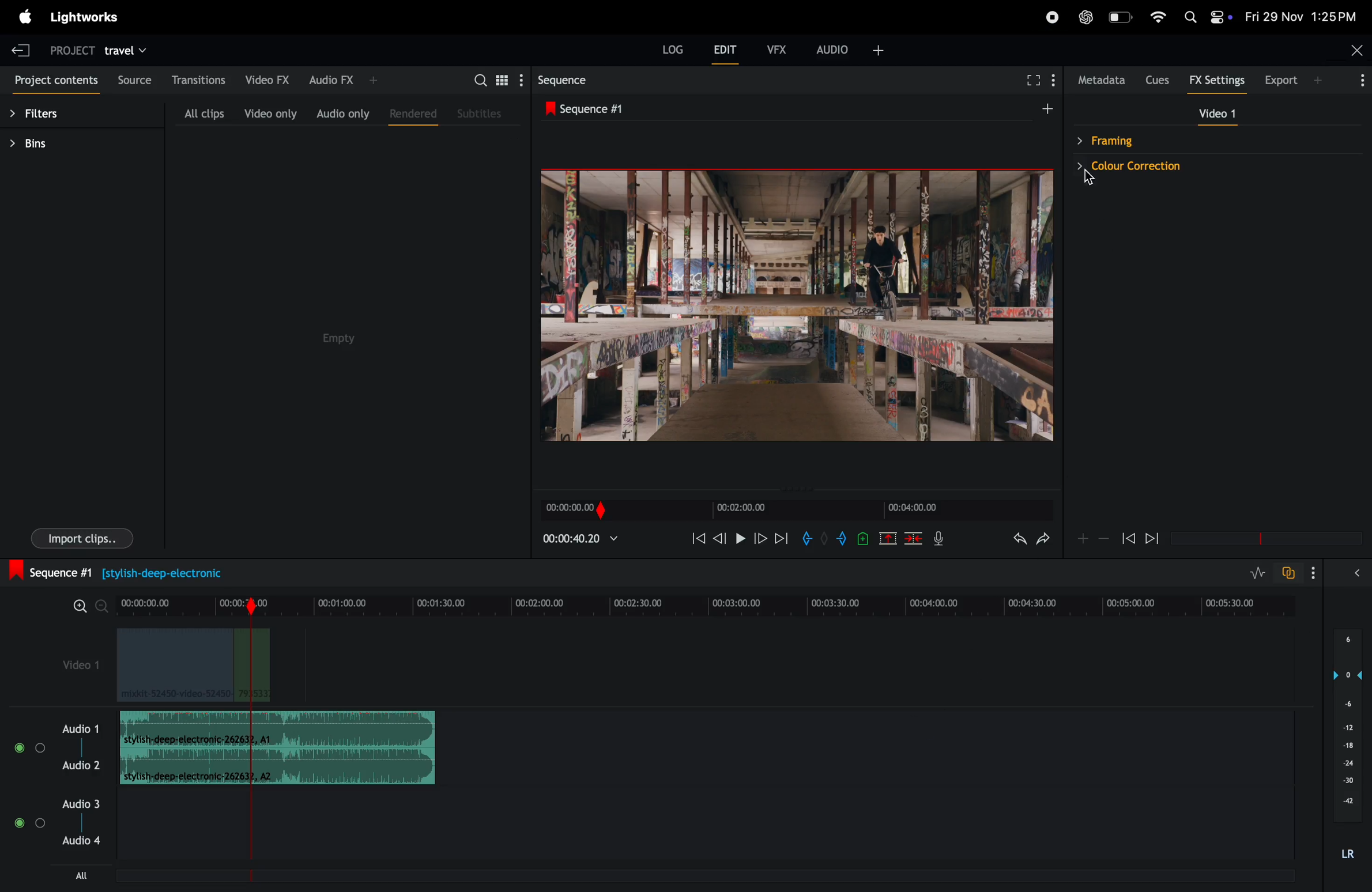 This screenshot has width=1372, height=892. I want to click on redo, so click(1046, 538).